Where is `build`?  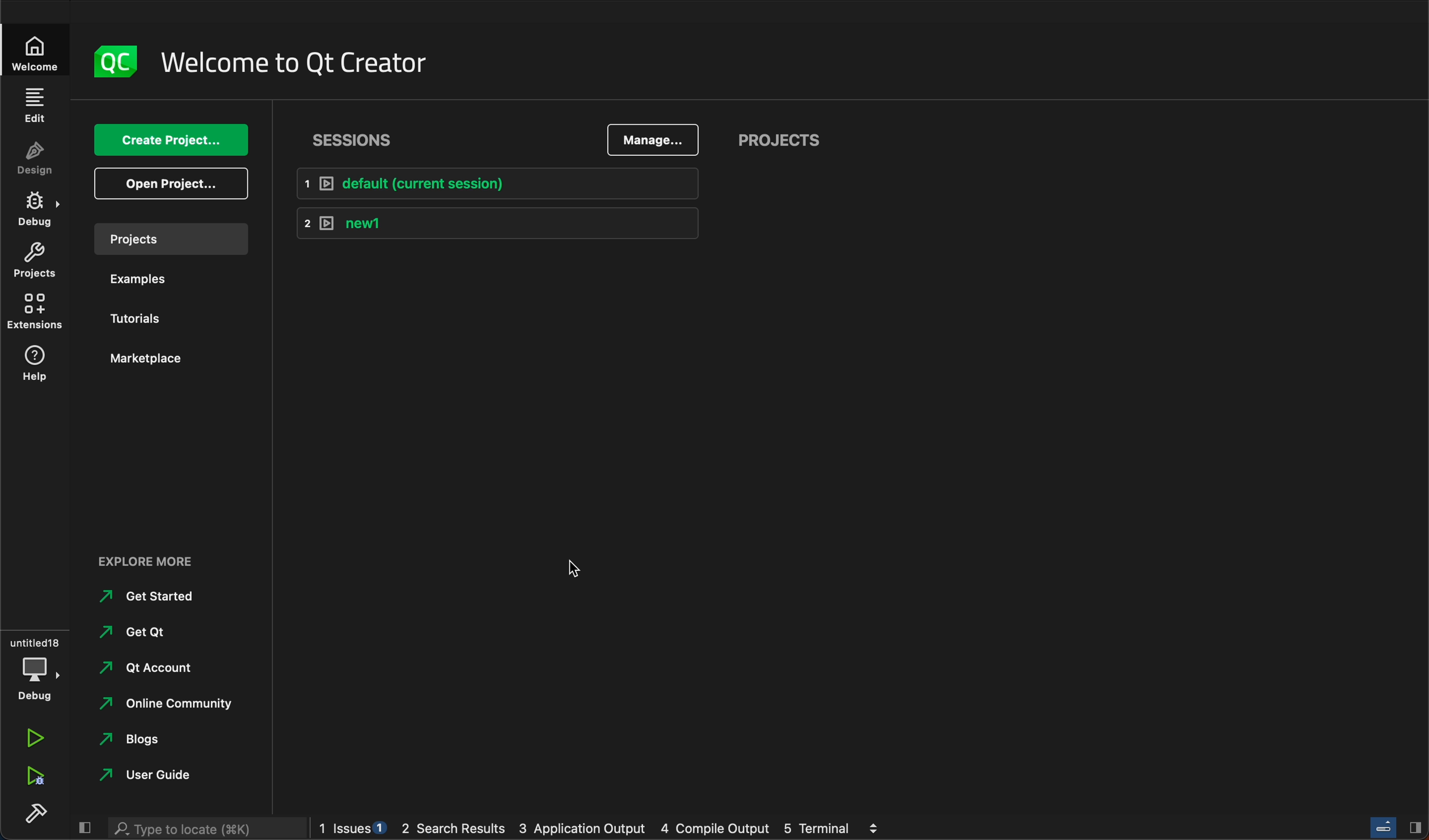
build is located at coordinates (35, 815).